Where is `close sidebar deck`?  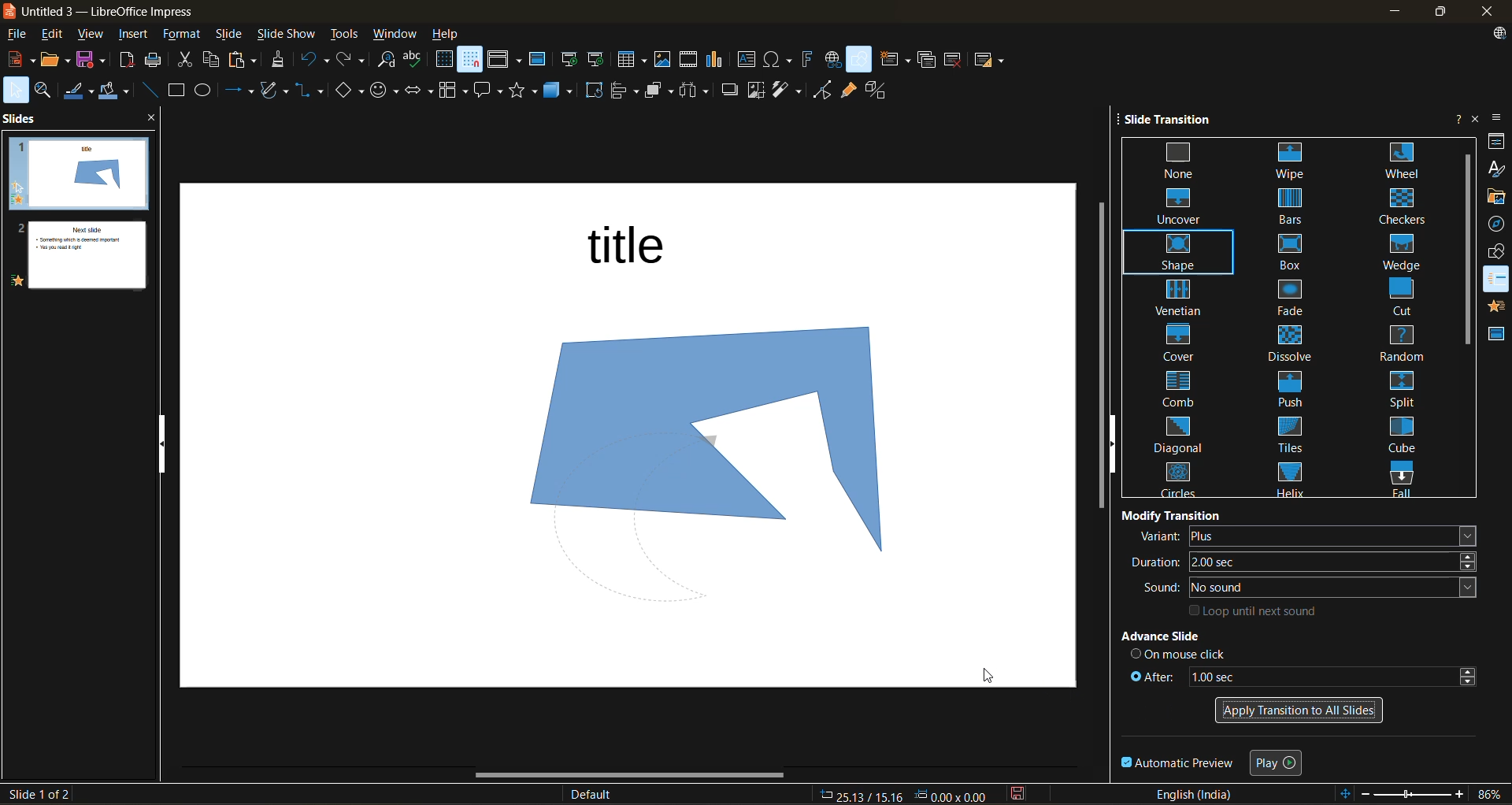
close sidebar deck is located at coordinates (1474, 118).